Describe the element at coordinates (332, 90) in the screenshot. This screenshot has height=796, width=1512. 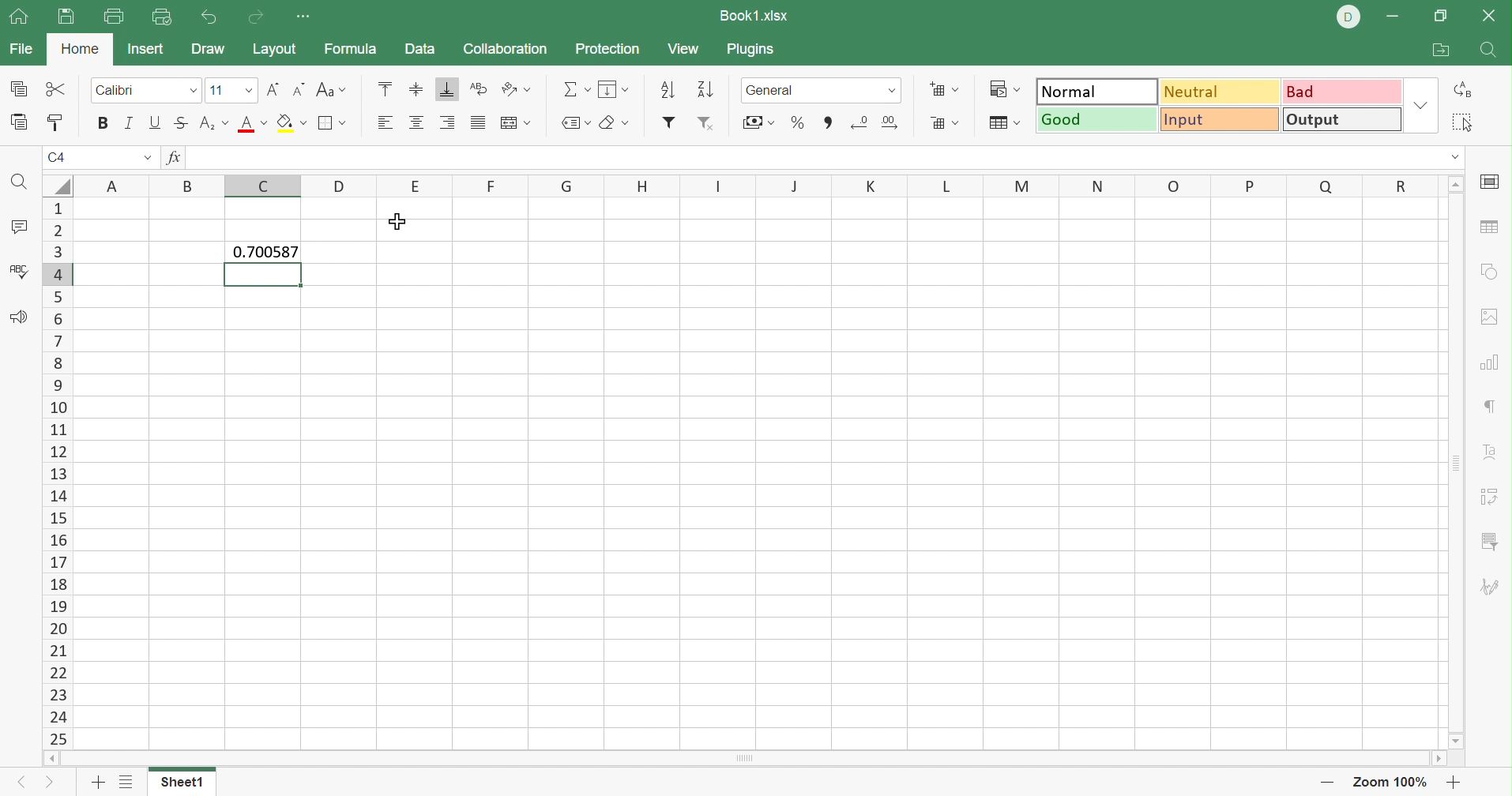
I see `Change case` at that location.